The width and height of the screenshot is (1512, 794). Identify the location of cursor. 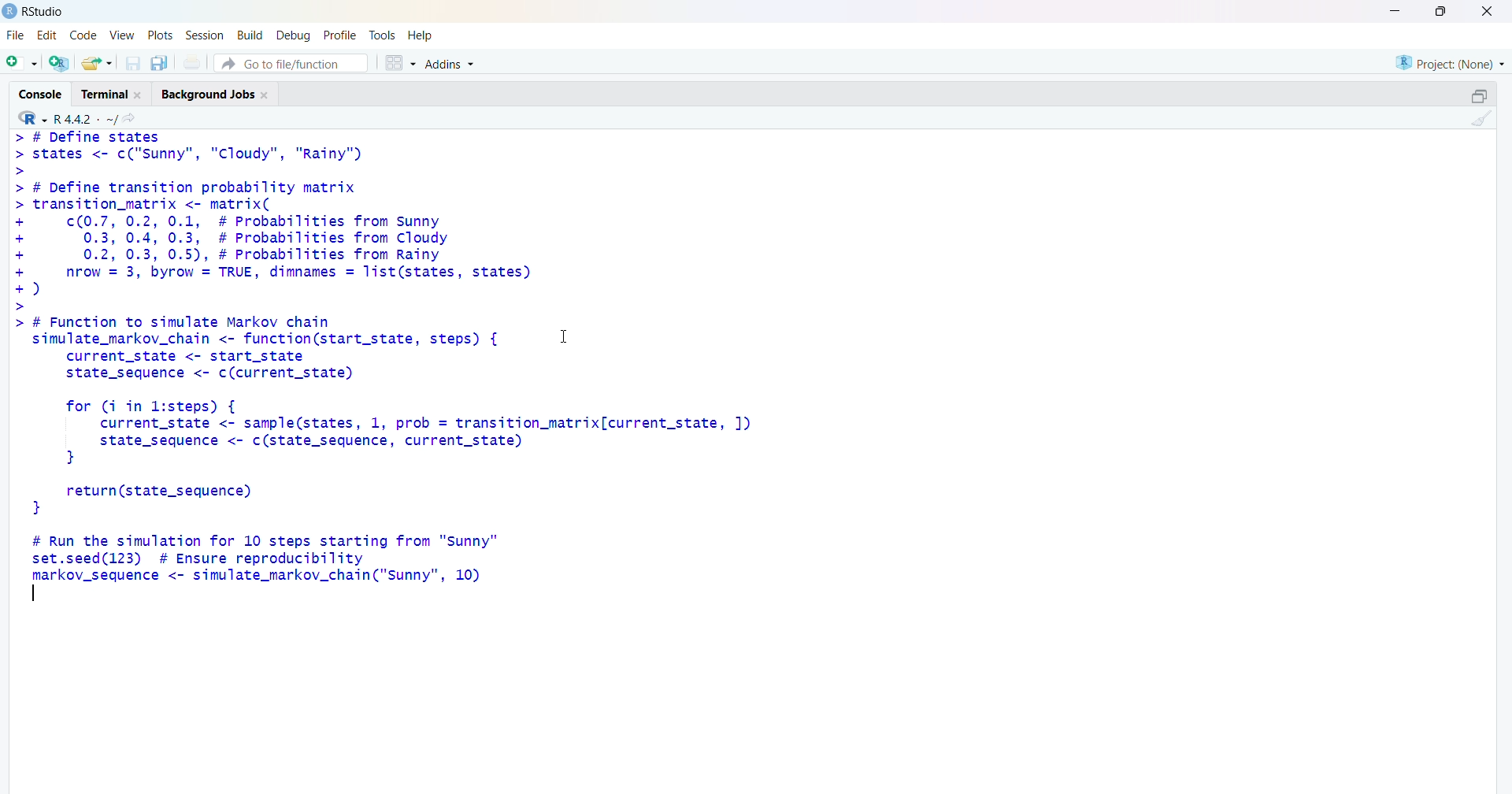
(569, 341).